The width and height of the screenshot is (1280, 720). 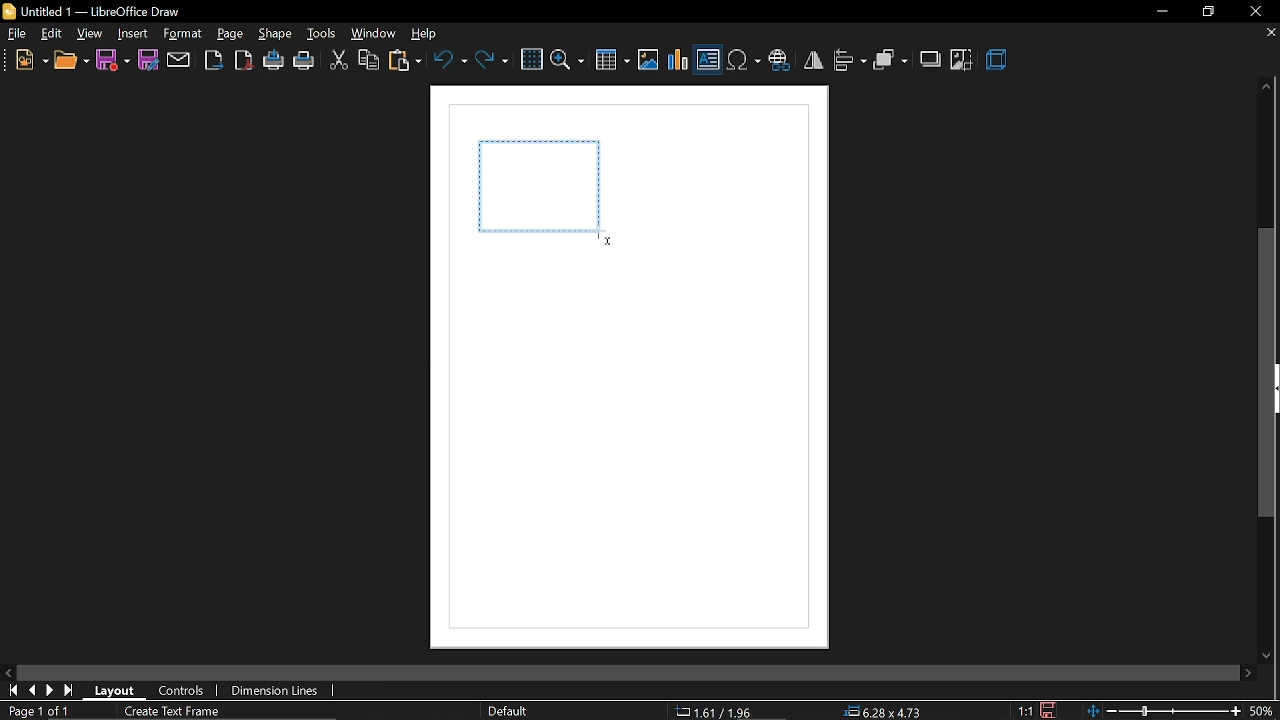 I want to click on crop, so click(x=962, y=60).